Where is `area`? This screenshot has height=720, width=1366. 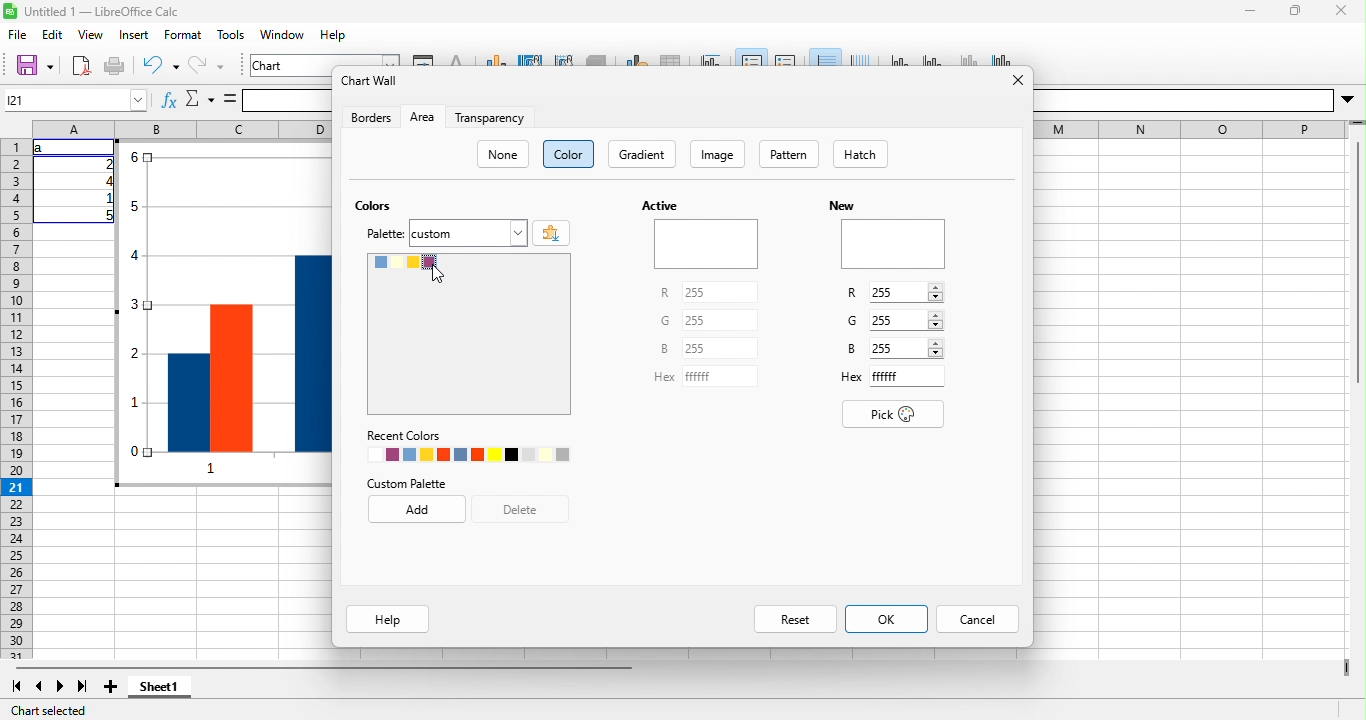
area is located at coordinates (423, 117).